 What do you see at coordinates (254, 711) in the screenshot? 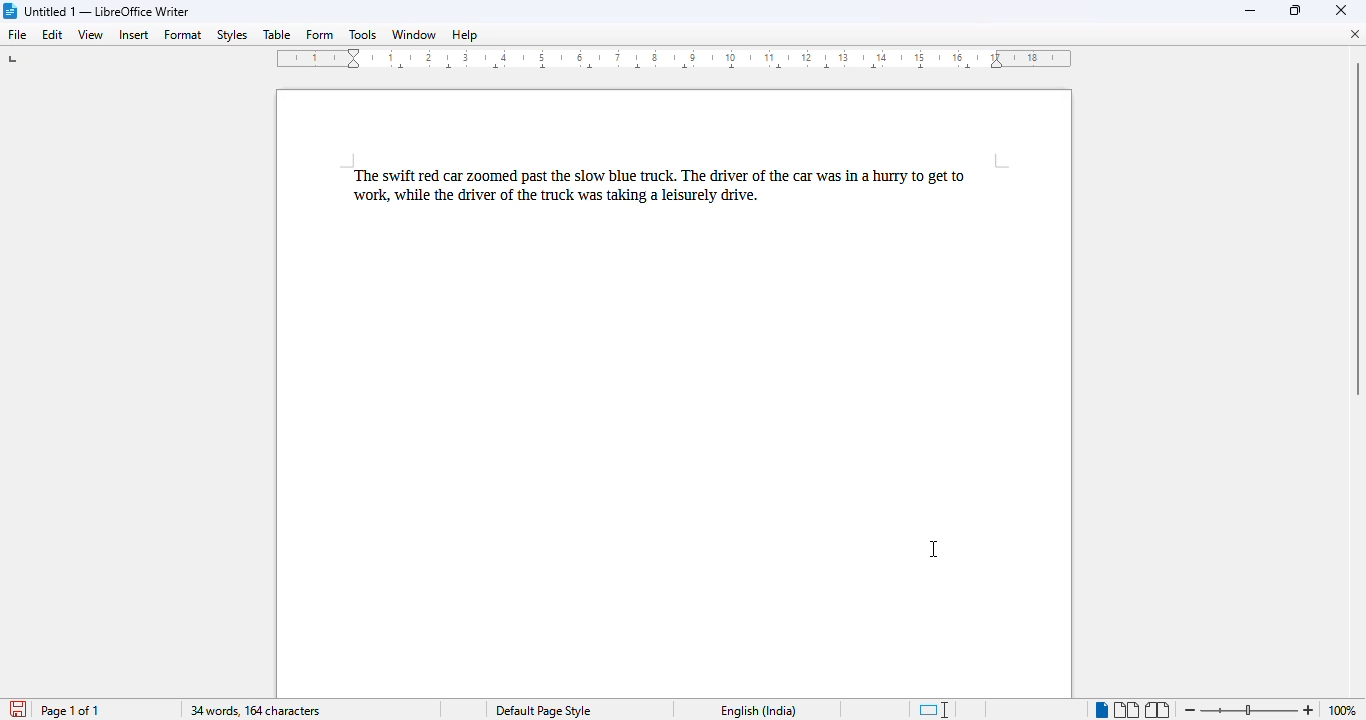
I see `34 words, 164 characters` at bounding box center [254, 711].